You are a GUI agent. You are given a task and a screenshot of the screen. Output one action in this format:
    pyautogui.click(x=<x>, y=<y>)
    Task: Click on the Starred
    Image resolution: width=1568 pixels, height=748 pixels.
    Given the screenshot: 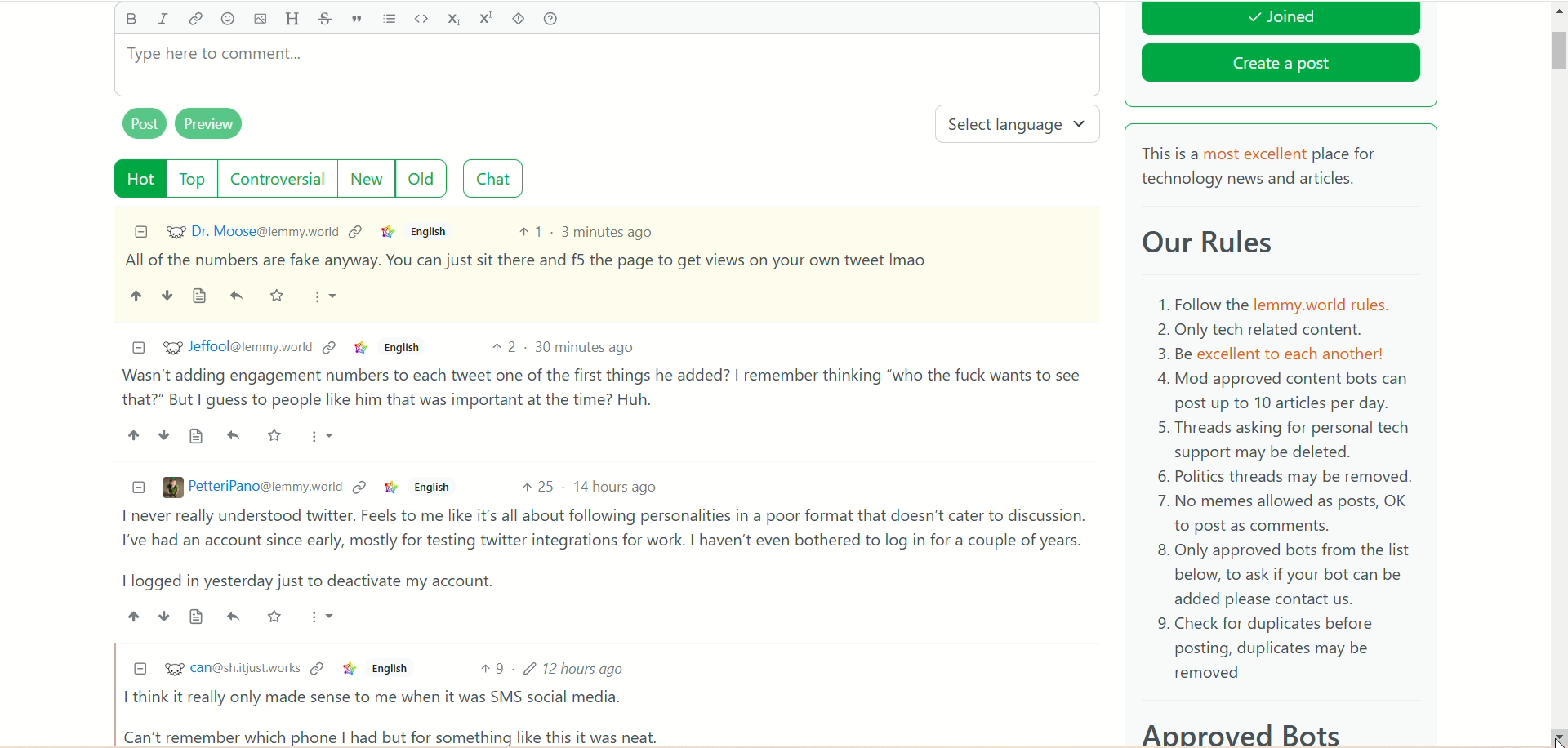 What is the action you would take?
    pyautogui.click(x=279, y=296)
    